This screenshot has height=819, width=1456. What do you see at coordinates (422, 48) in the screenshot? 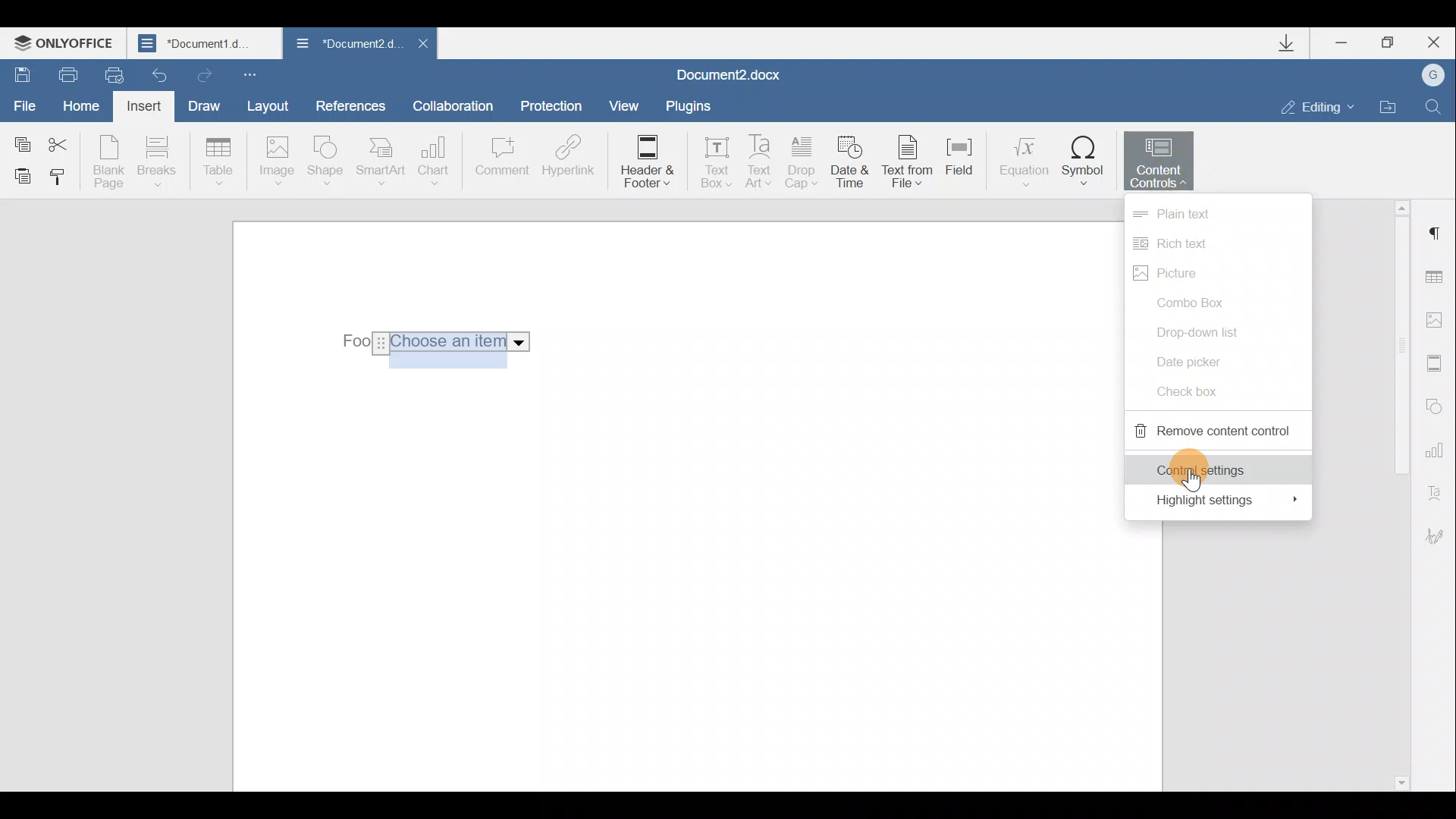
I see `Close` at bounding box center [422, 48].